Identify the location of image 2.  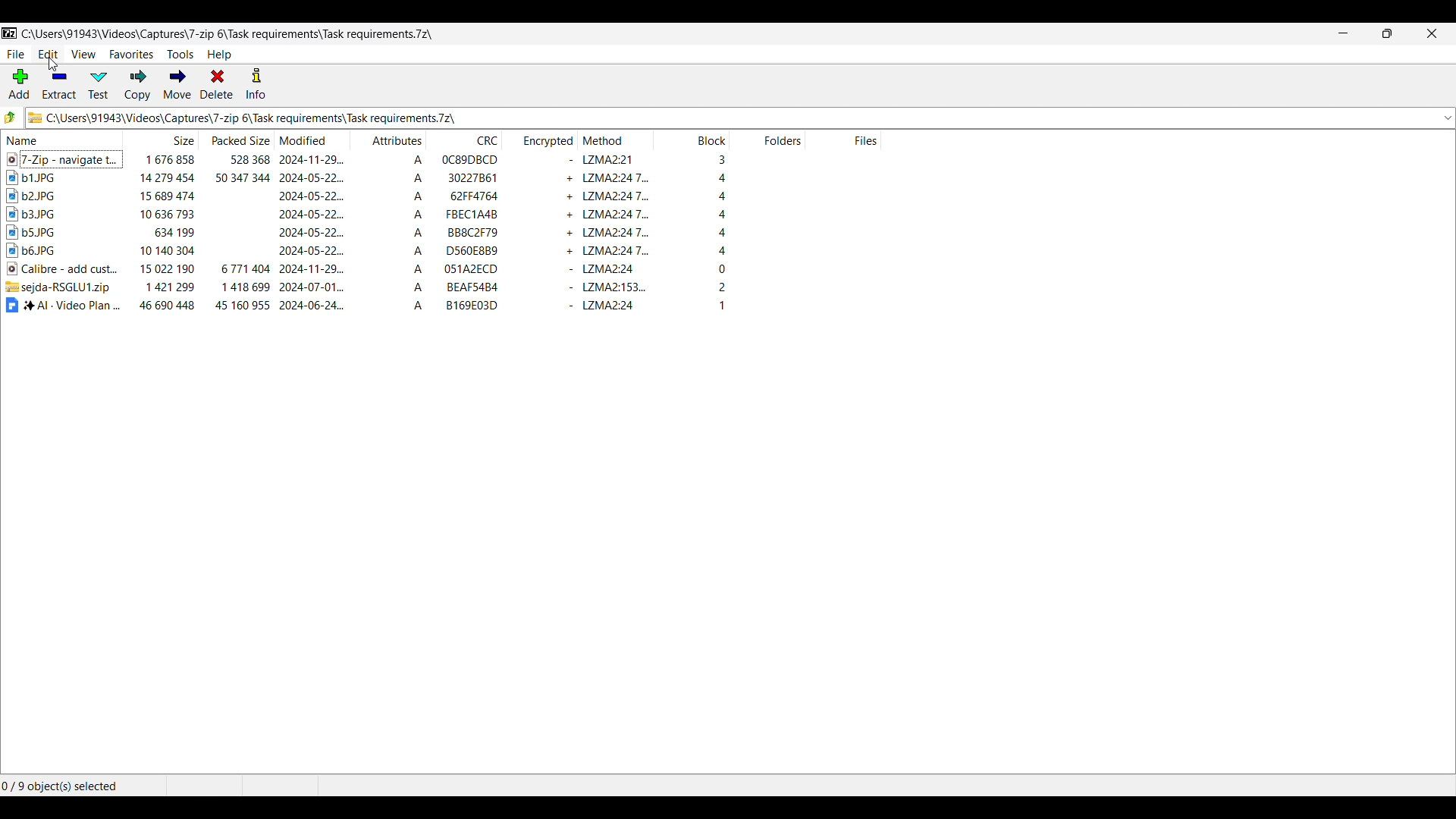
(49, 195).